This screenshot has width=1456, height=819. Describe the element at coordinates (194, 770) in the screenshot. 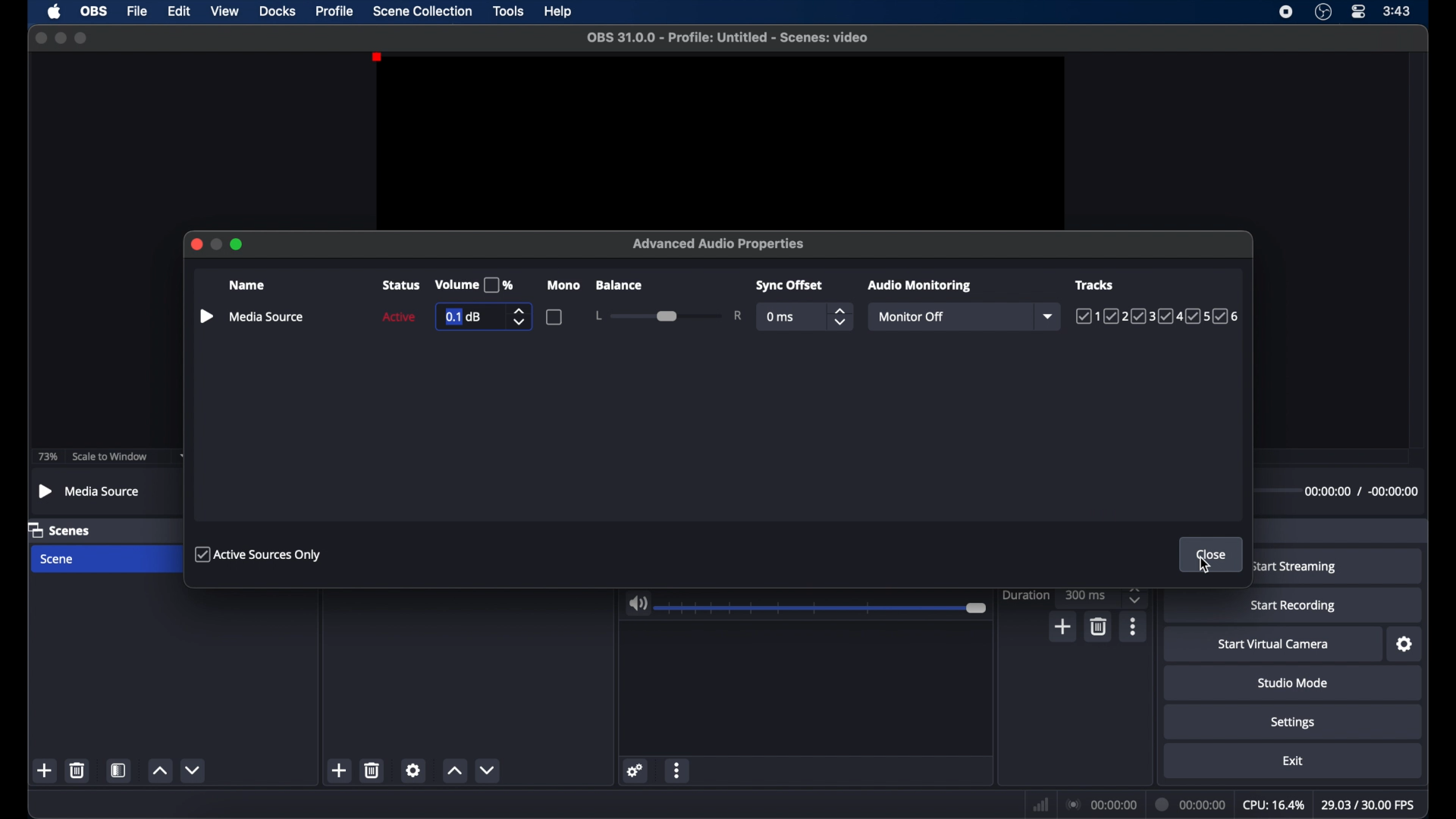

I see `decrement` at that location.